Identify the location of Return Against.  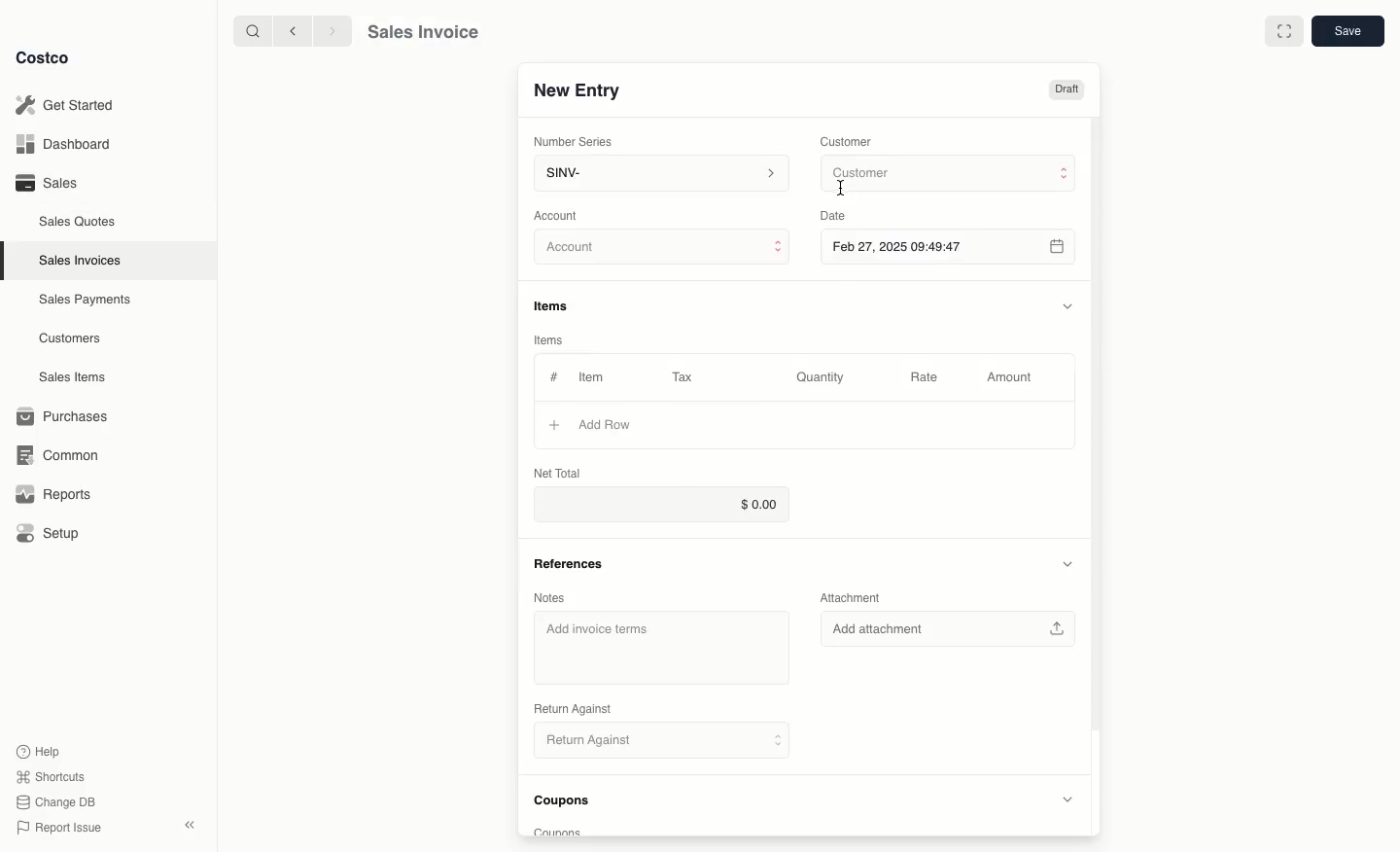
(651, 741).